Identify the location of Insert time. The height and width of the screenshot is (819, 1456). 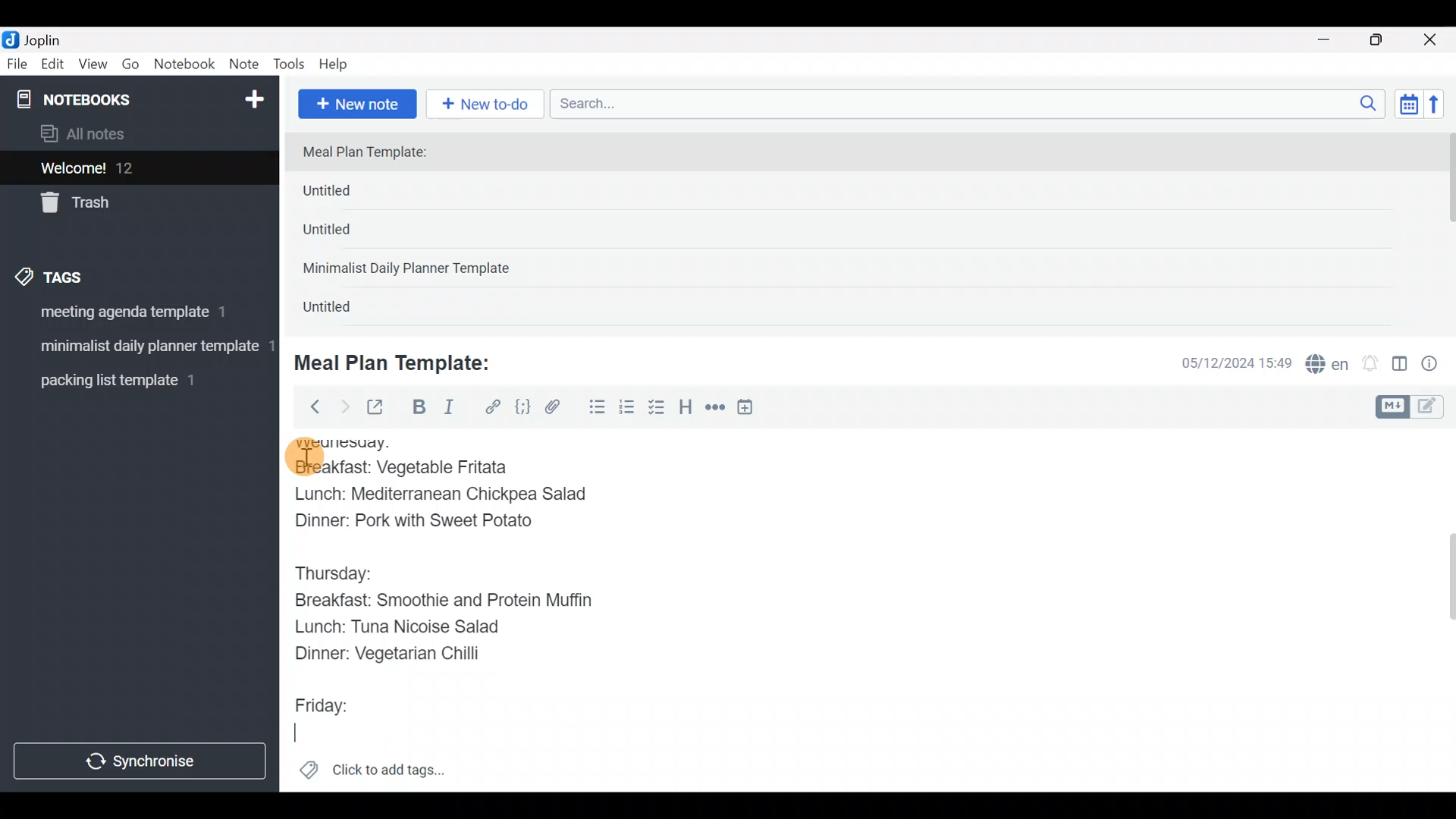
(752, 409).